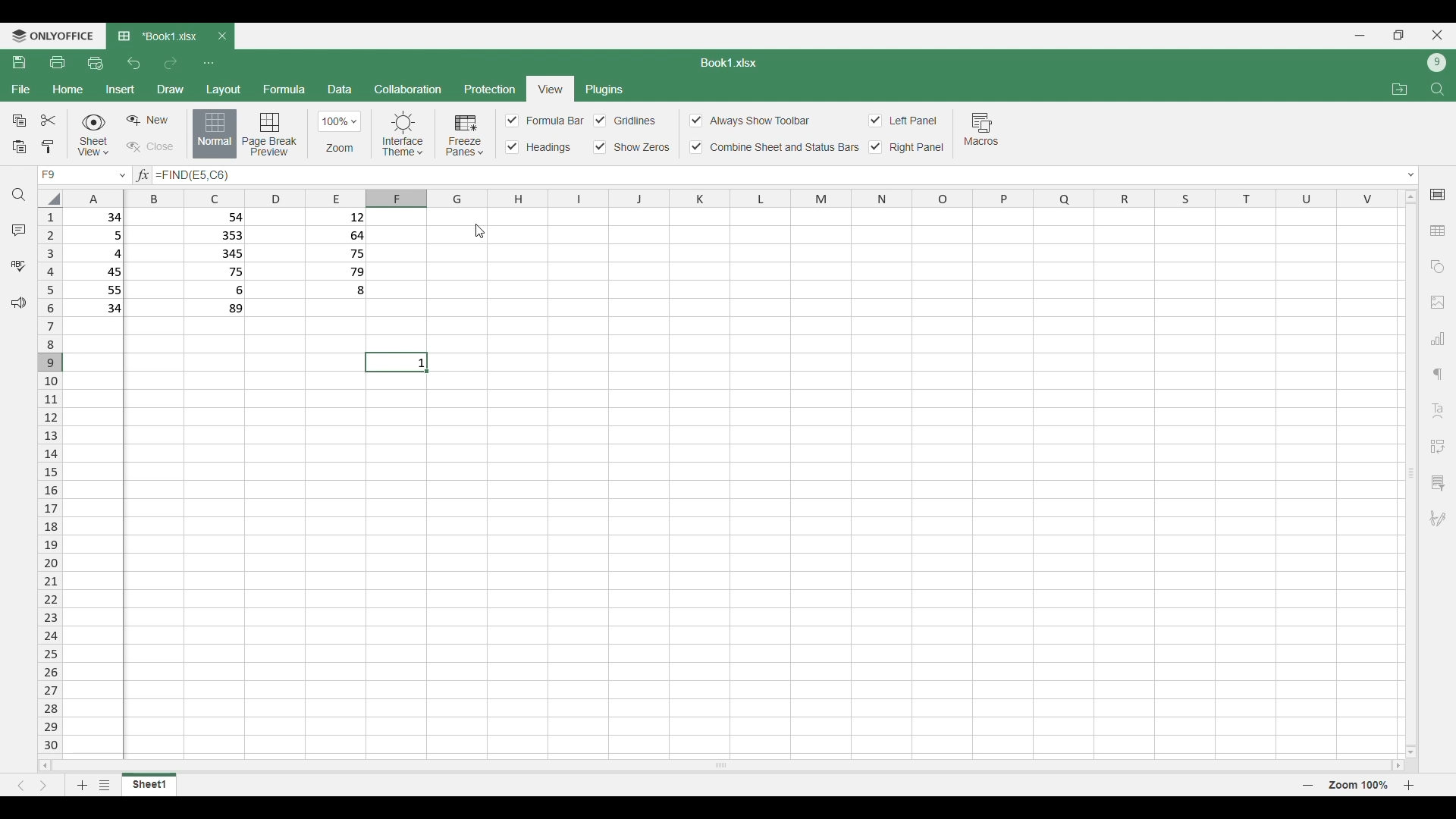 Image resolution: width=1456 pixels, height=819 pixels. Describe the element at coordinates (17, 304) in the screenshot. I see `Feedback and support` at that location.